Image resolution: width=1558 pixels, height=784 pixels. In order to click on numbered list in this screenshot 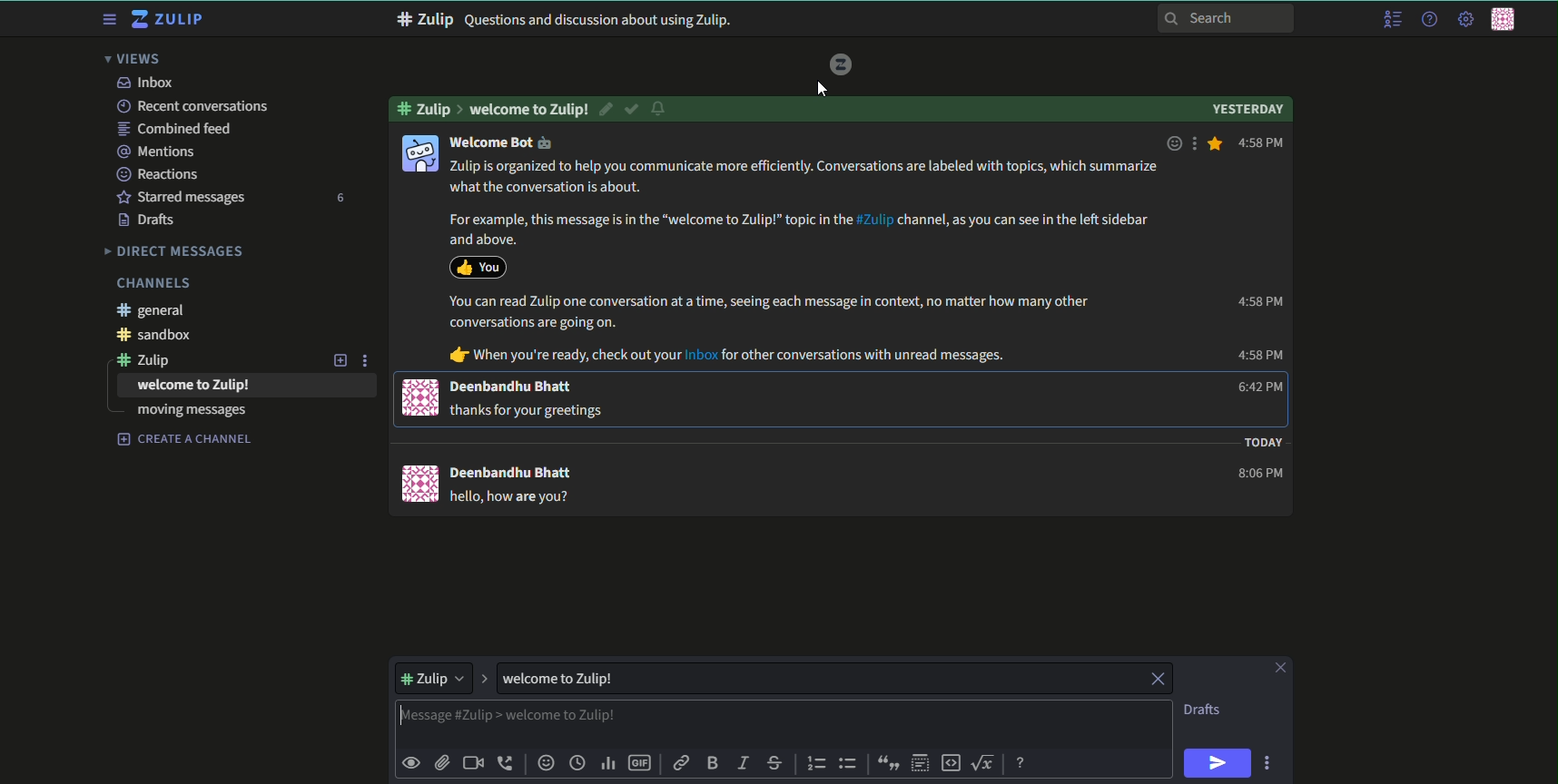, I will do `click(817, 763)`.